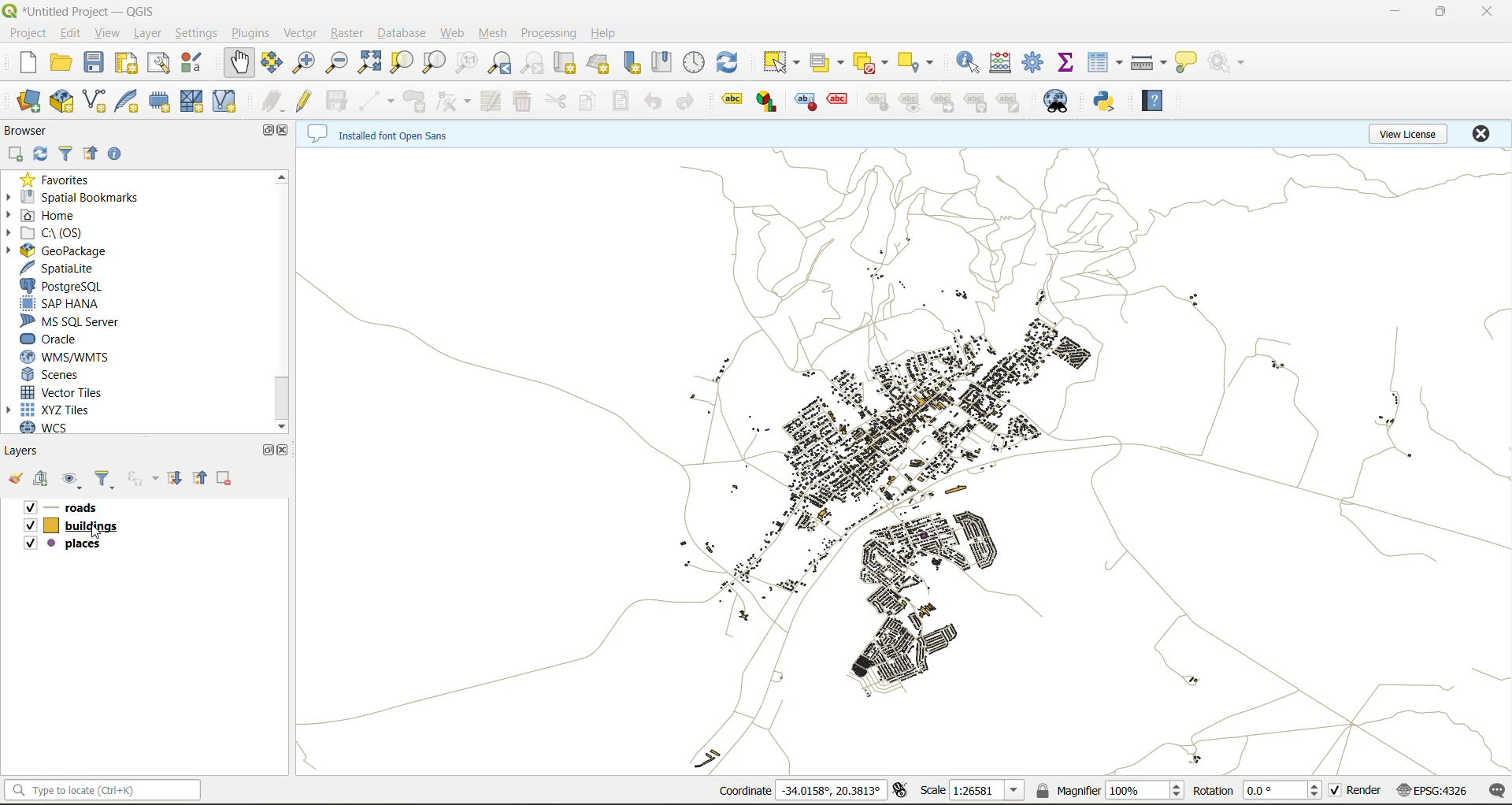 This screenshot has height=805, width=1512. Describe the element at coordinates (1104, 102) in the screenshot. I see `python` at that location.